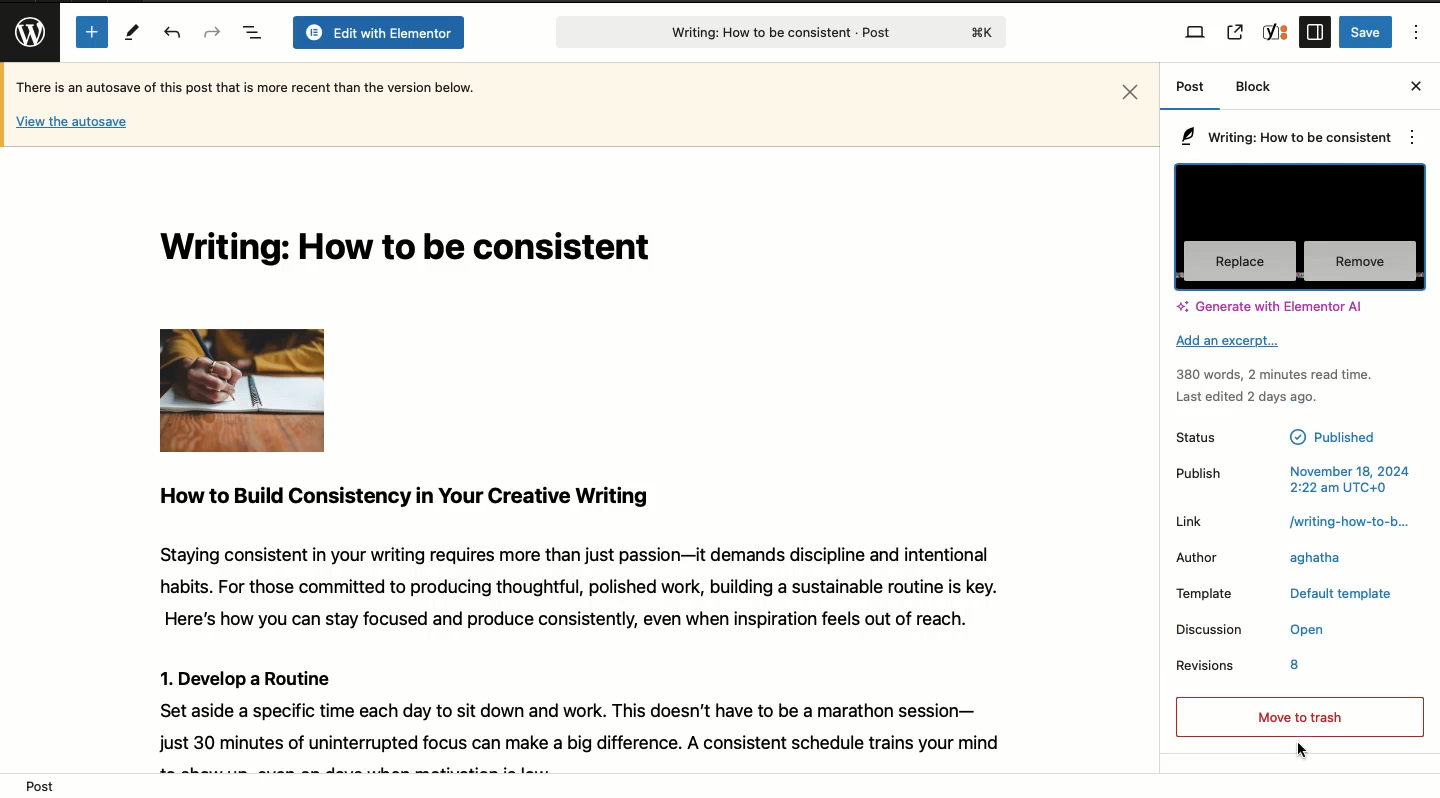 The width and height of the screenshot is (1440, 798). I want to click on Move to trash, so click(1288, 715).